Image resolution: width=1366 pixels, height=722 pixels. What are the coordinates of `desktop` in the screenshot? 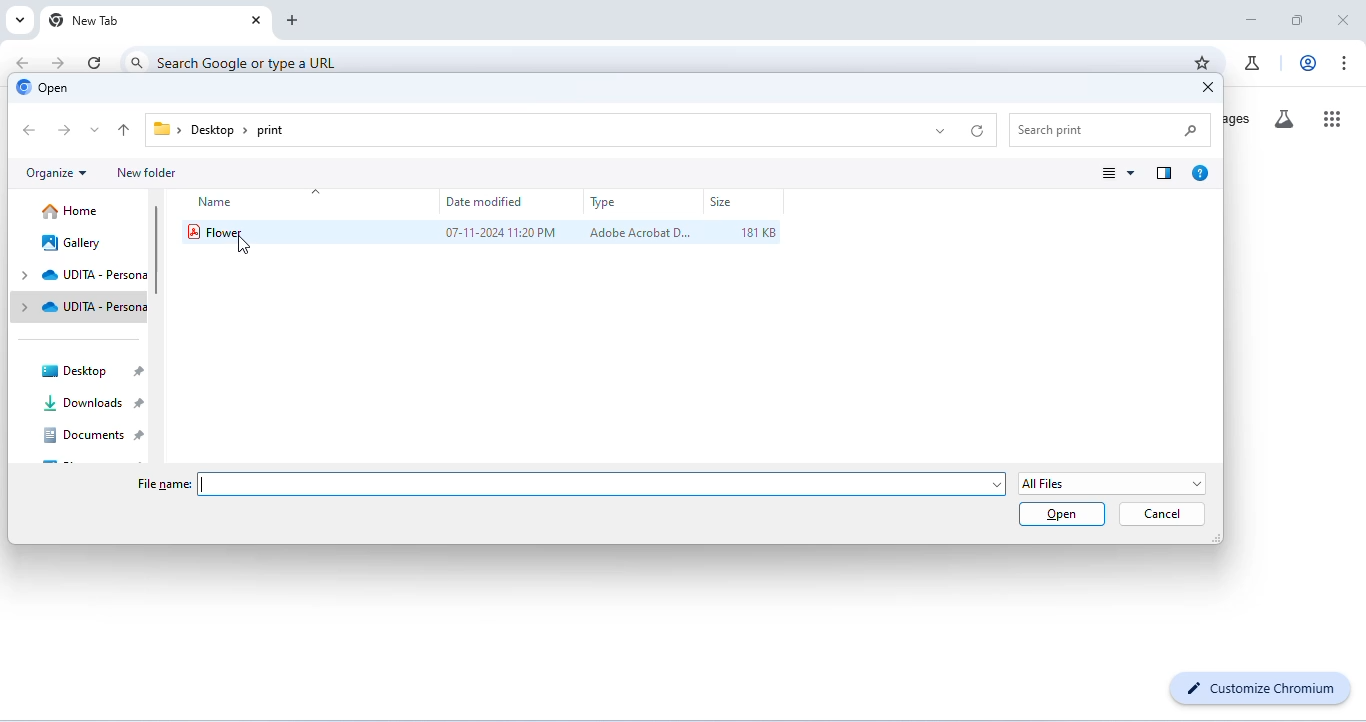 It's located at (90, 369).